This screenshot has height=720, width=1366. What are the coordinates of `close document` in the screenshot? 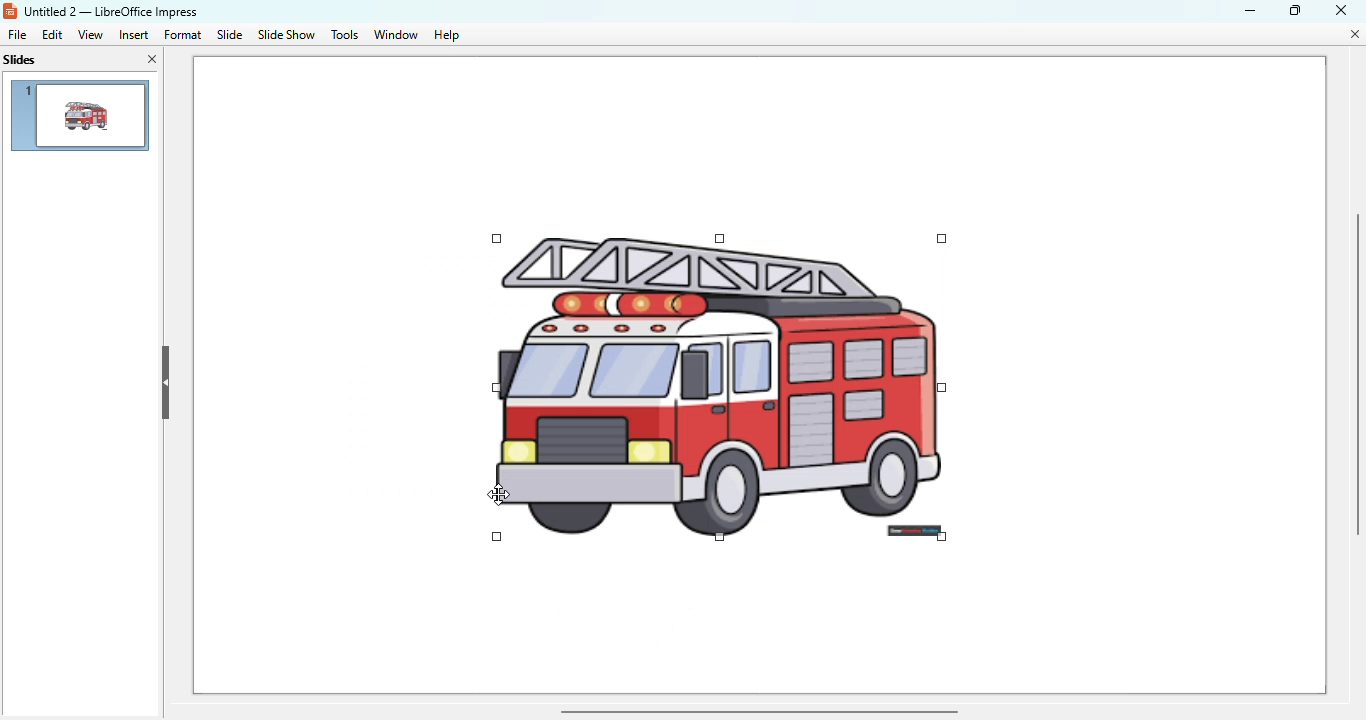 It's located at (1357, 34).